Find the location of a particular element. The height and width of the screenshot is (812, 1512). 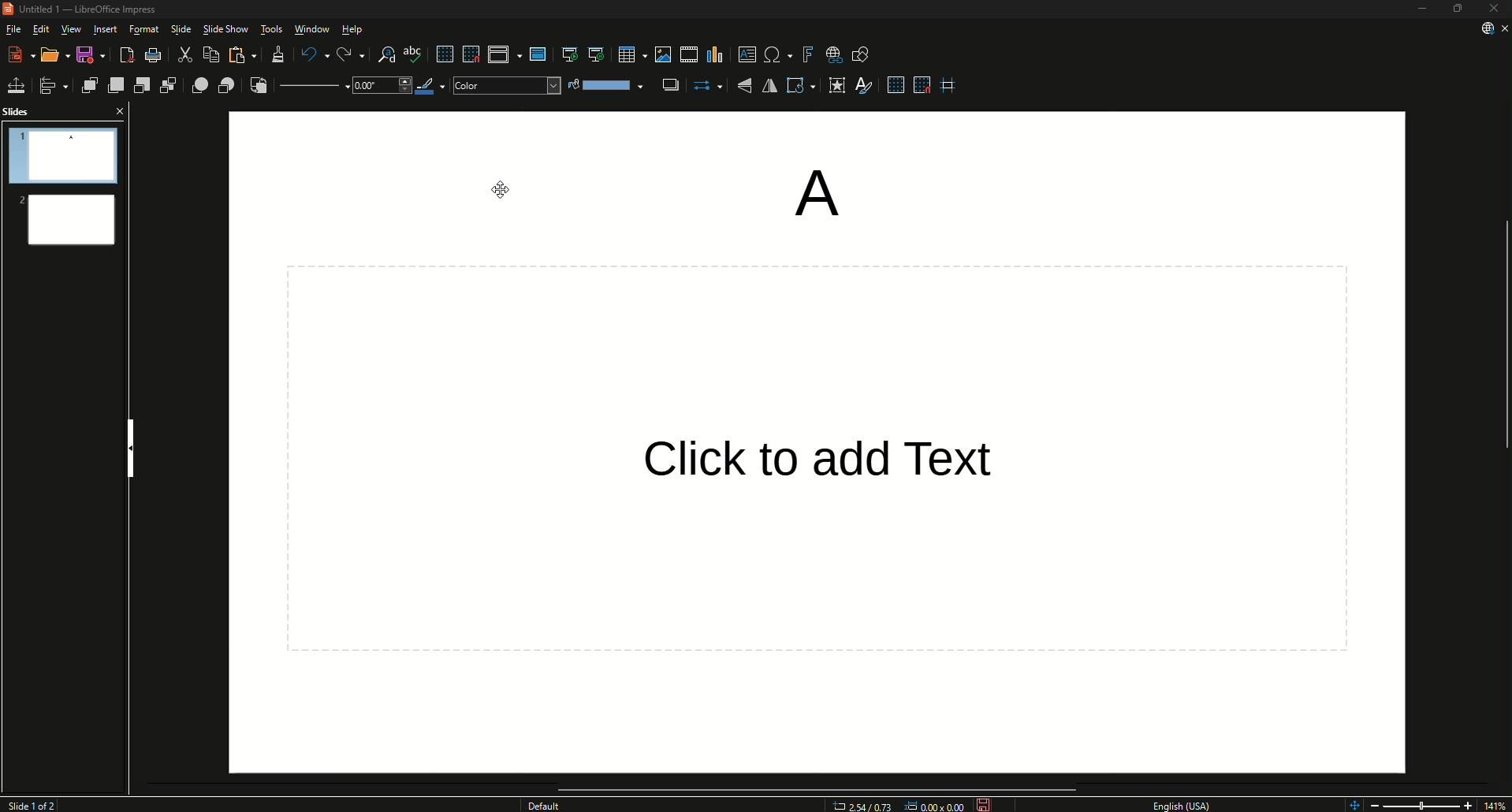

Close is located at coordinates (119, 111).